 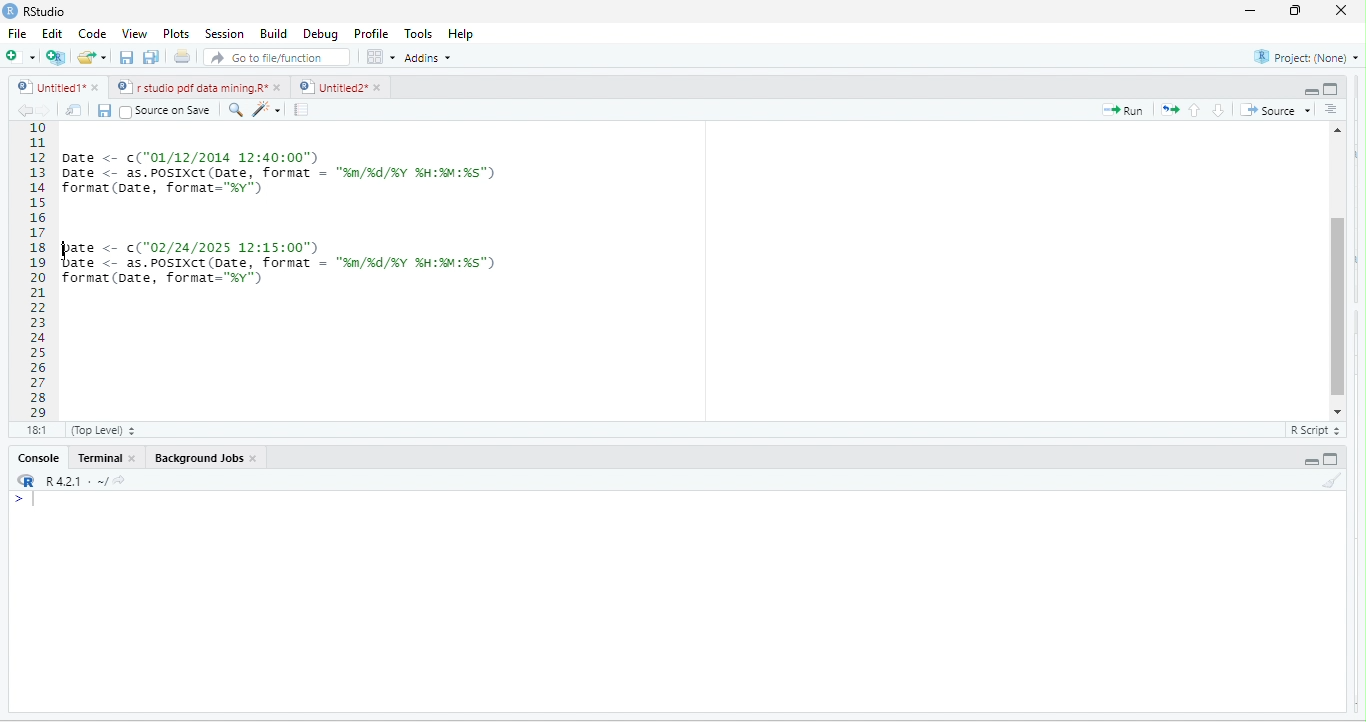 What do you see at coordinates (12, 10) in the screenshot?
I see `rs studio logo` at bounding box center [12, 10].